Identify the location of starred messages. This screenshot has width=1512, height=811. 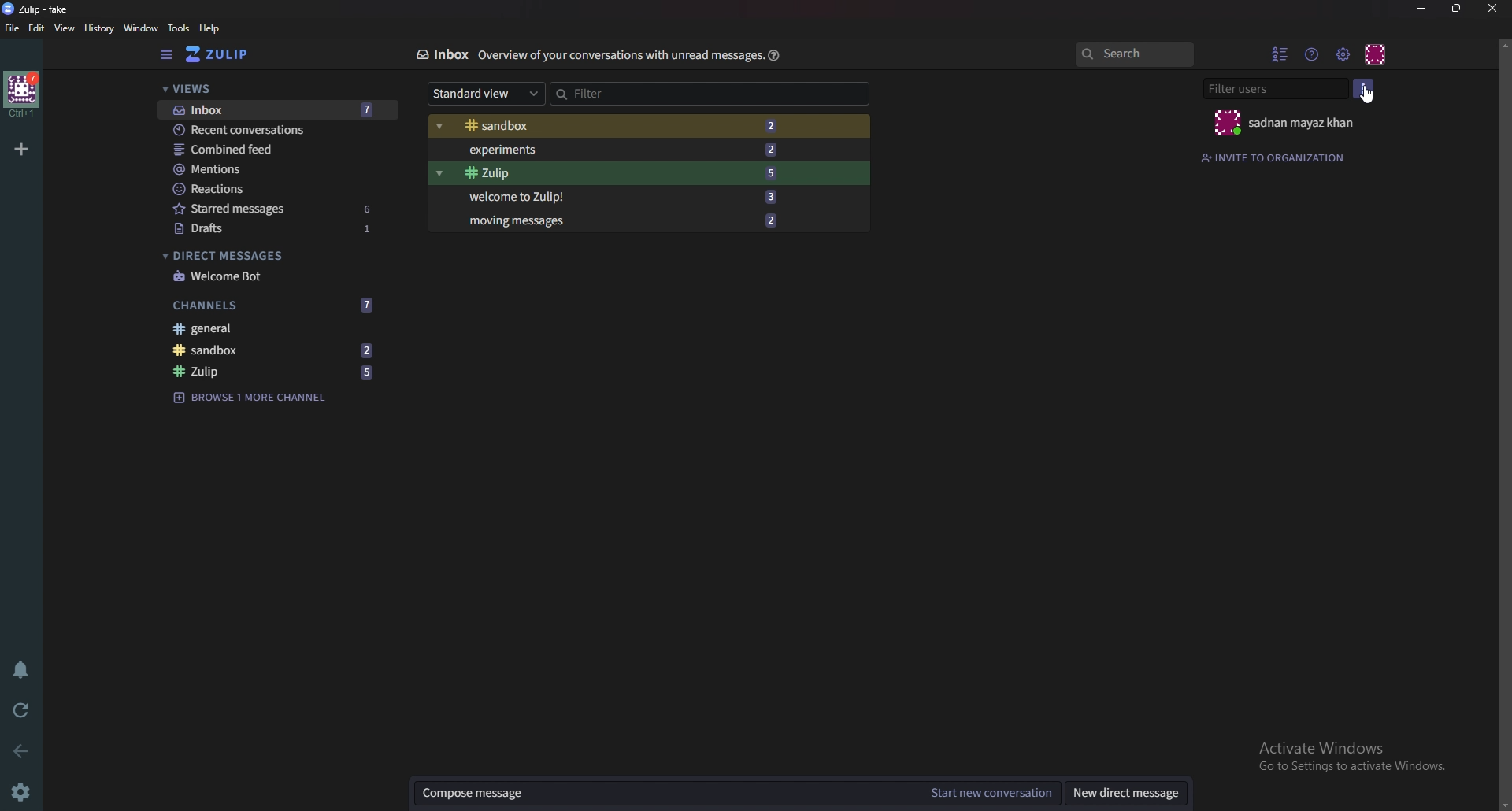
(273, 208).